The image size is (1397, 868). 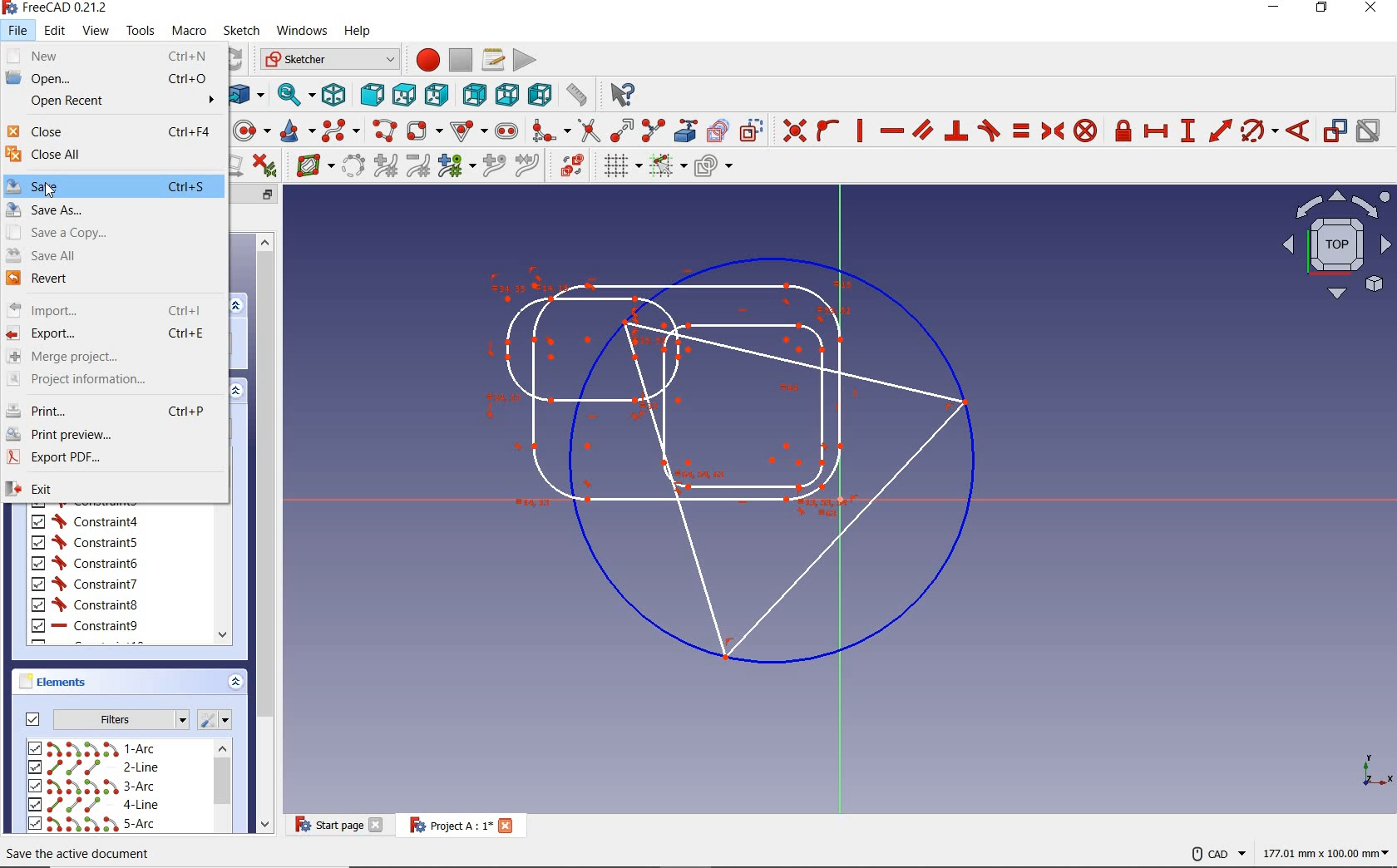 I want to click on tools, so click(x=141, y=32).